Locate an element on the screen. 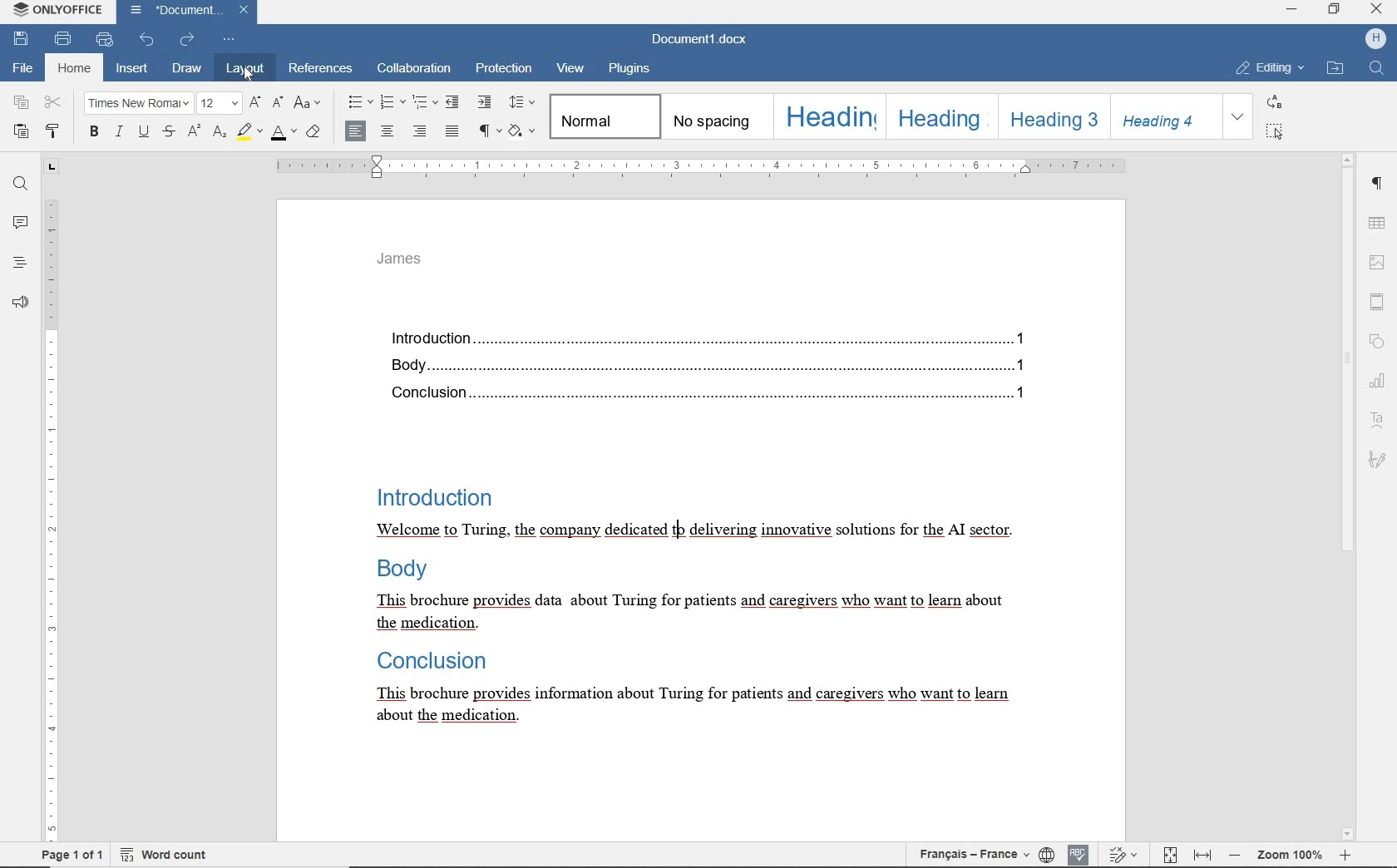  file is located at coordinates (24, 69).